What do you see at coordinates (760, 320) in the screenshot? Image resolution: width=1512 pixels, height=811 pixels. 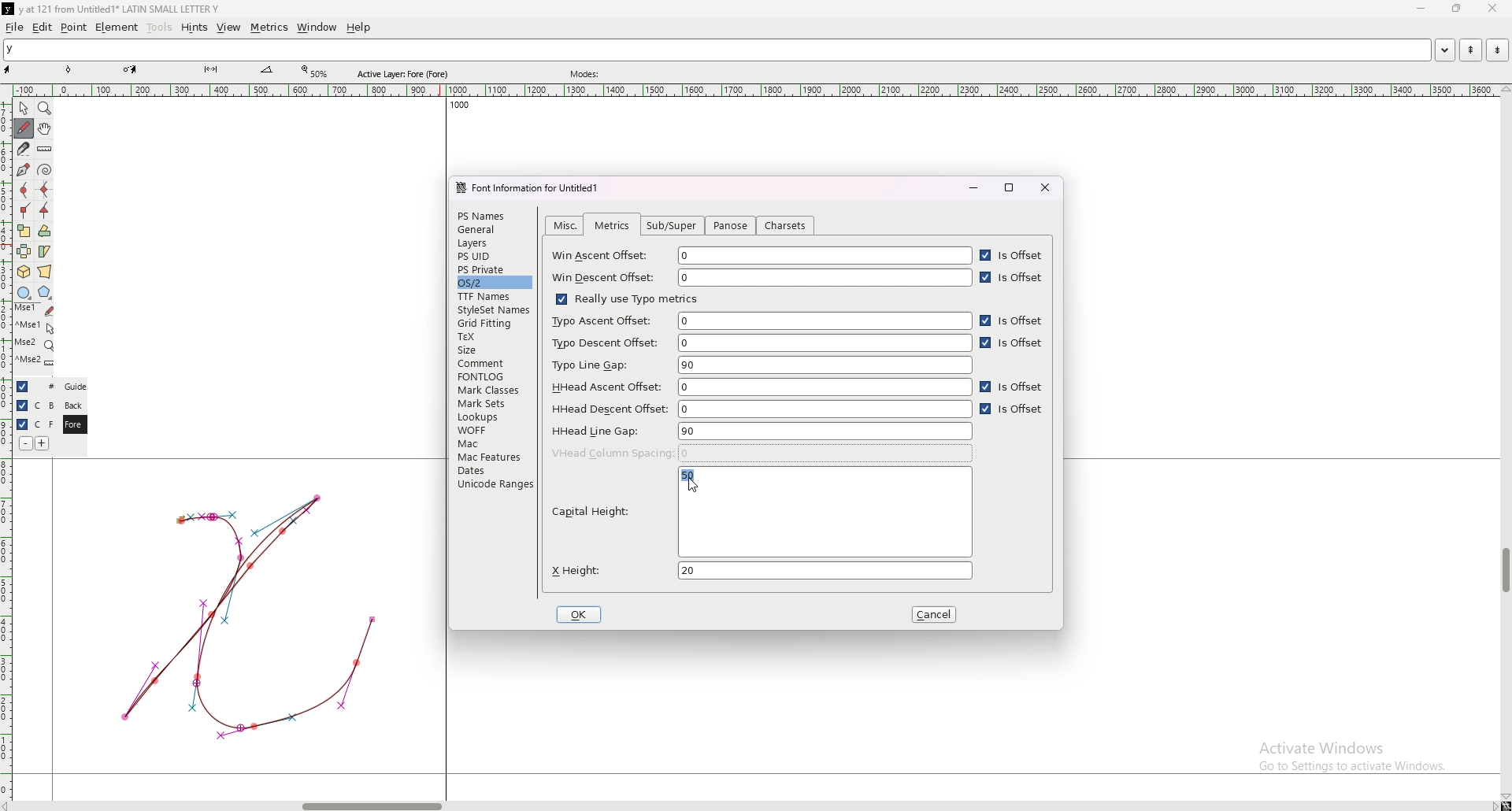 I see `typo ascent offset 0` at bounding box center [760, 320].